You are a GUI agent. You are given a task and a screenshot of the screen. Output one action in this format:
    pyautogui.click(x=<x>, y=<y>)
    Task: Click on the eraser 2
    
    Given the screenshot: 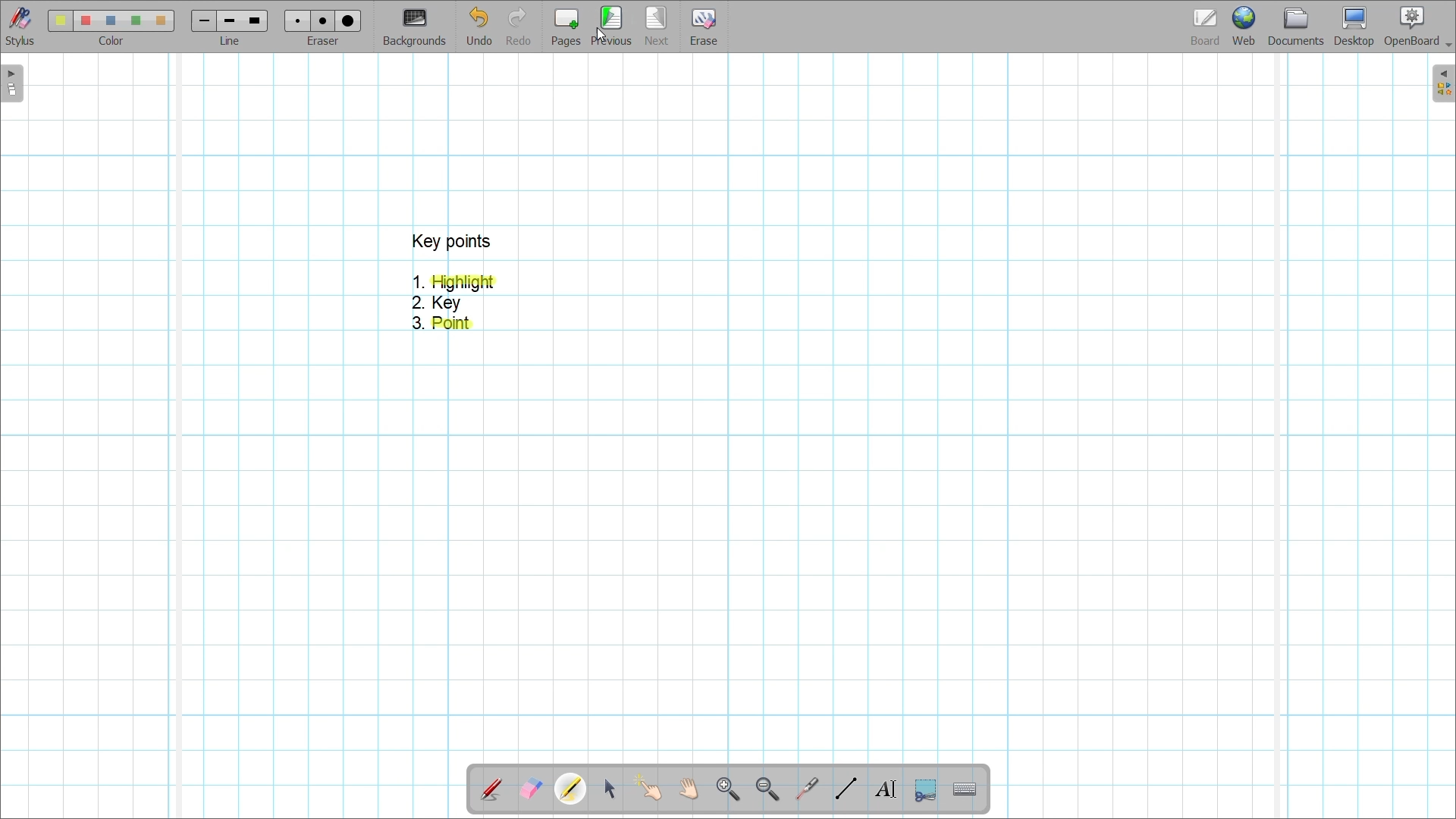 What is the action you would take?
    pyautogui.click(x=322, y=20)
    